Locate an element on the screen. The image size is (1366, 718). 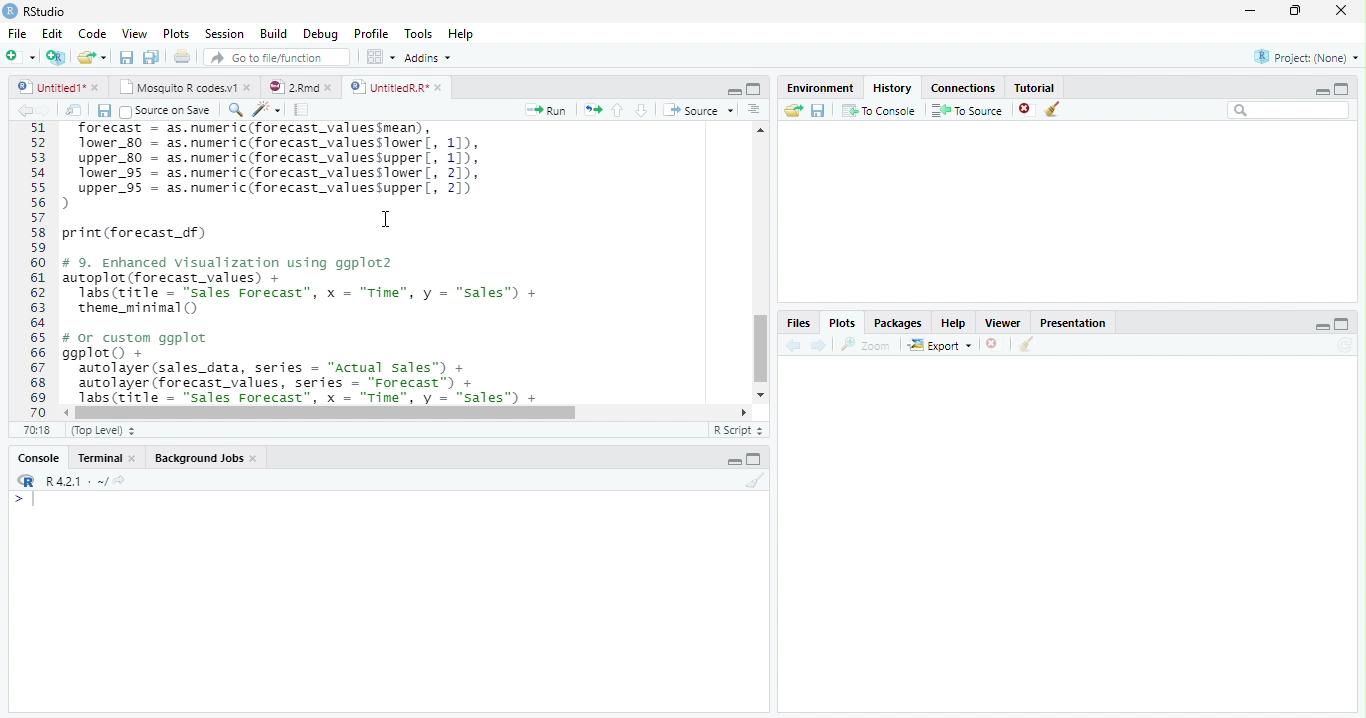
Clean is located at coordinates (1026, 345).